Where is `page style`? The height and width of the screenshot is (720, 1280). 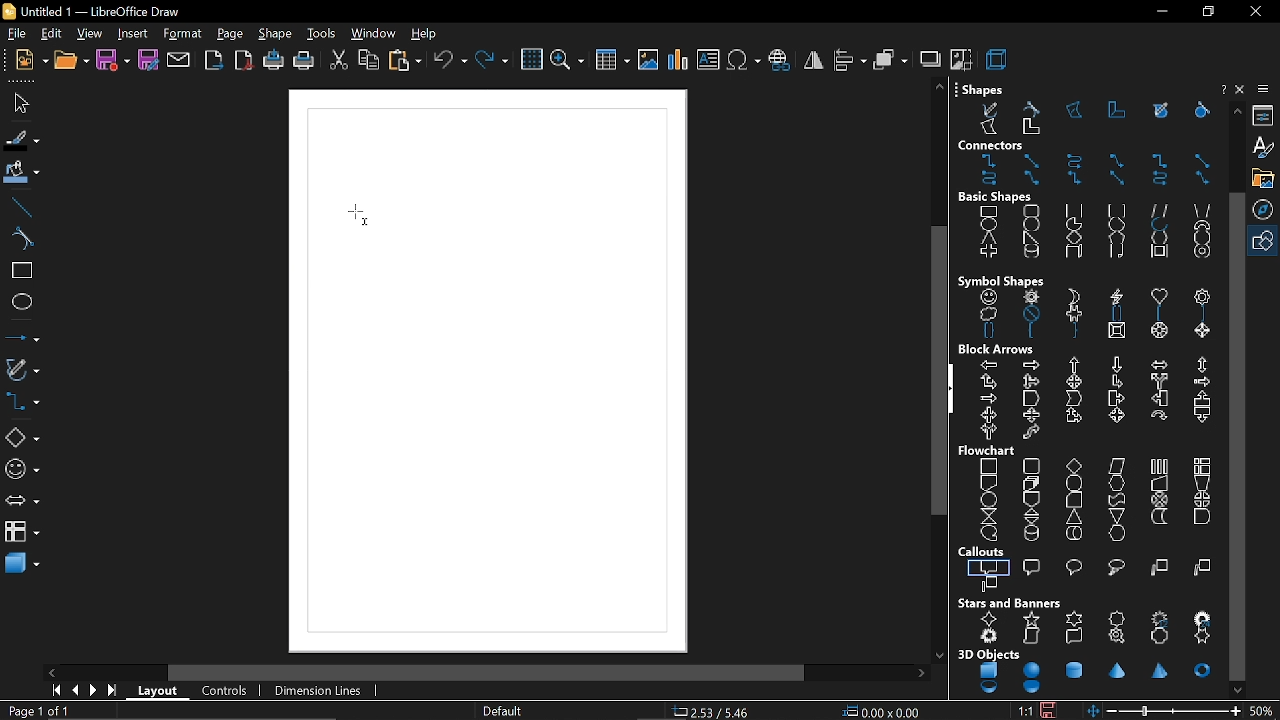 page style is located at coordinates (504, 712).